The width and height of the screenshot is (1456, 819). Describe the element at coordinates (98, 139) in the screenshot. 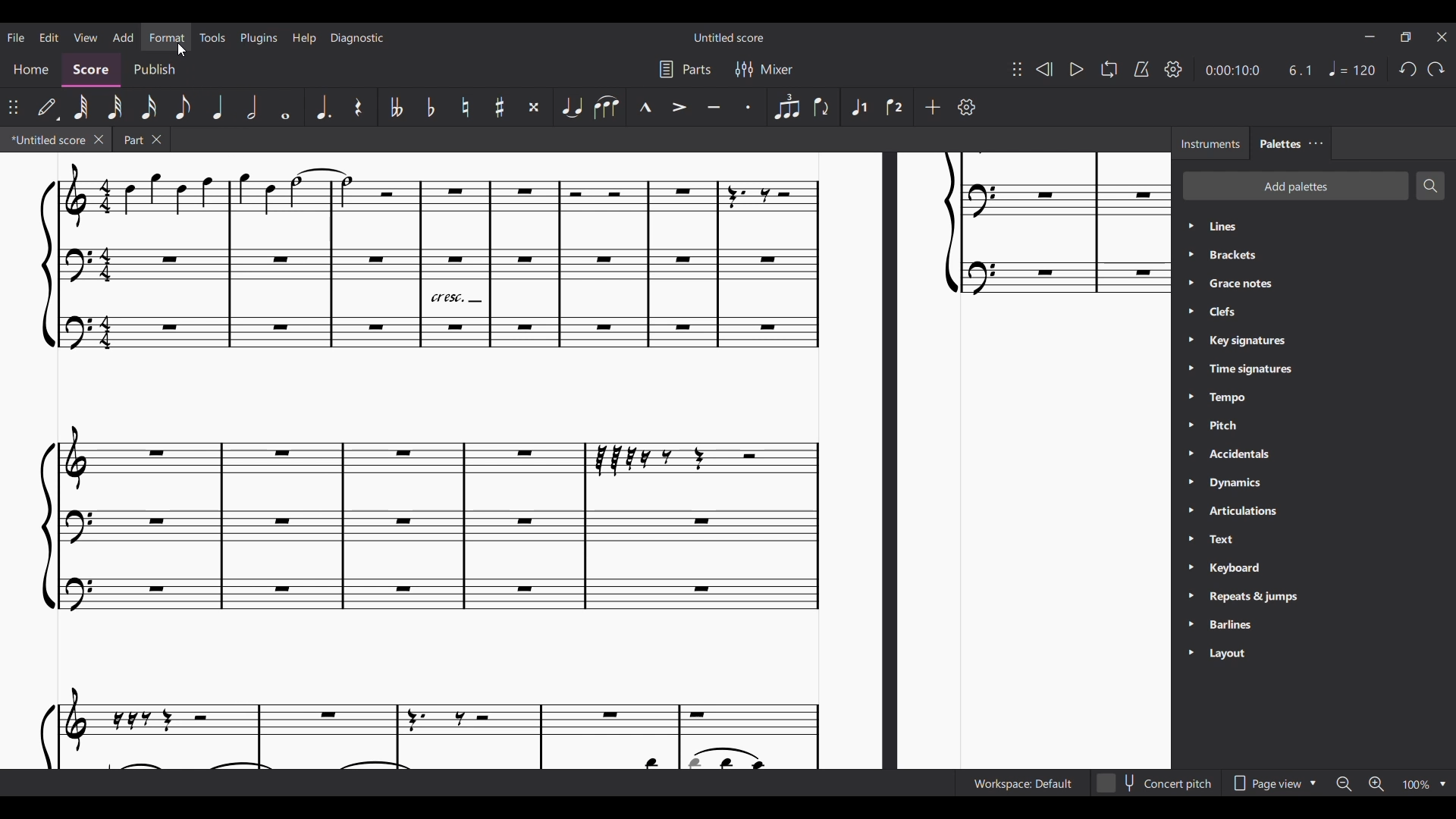

I see `Close current tab` at that location.